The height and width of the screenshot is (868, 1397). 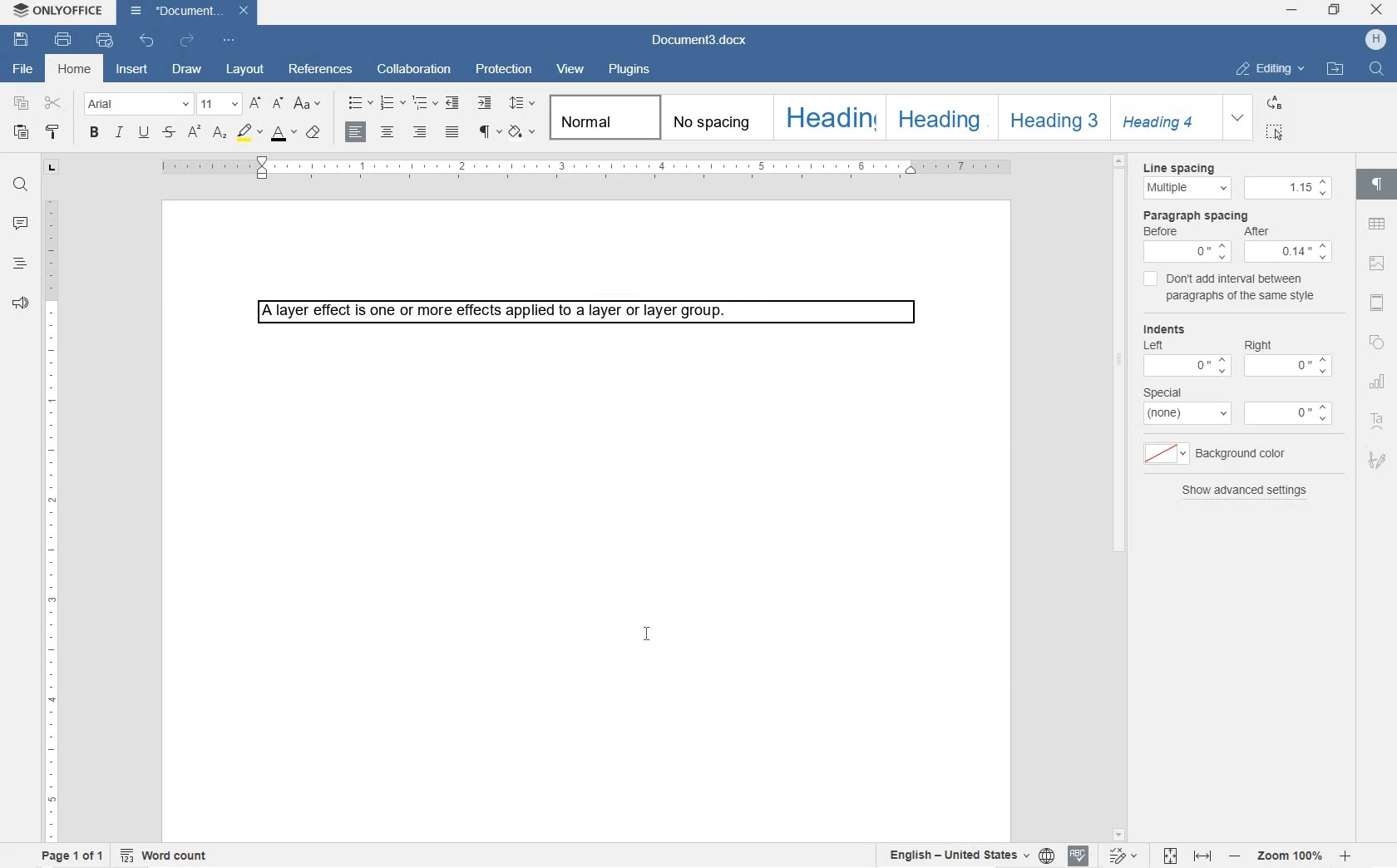 I want to click on HEADING 2, so click(x=940, y=118).